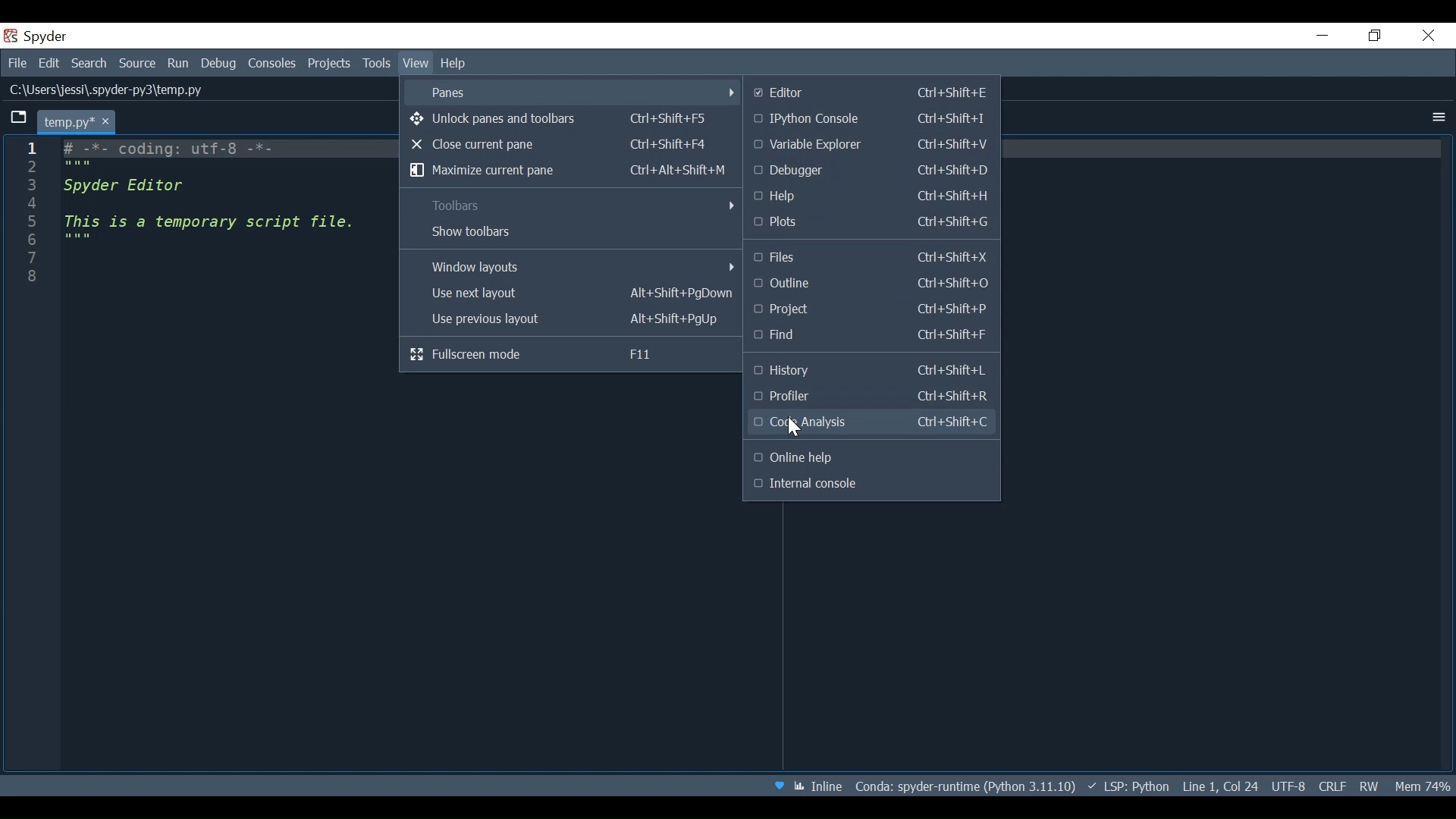 The height and width of the screenshot is (819, 1456). What do you see at coordinates (871, 485) in the screenshot?
I see `Internal Console` at bounding box center [871, 485].